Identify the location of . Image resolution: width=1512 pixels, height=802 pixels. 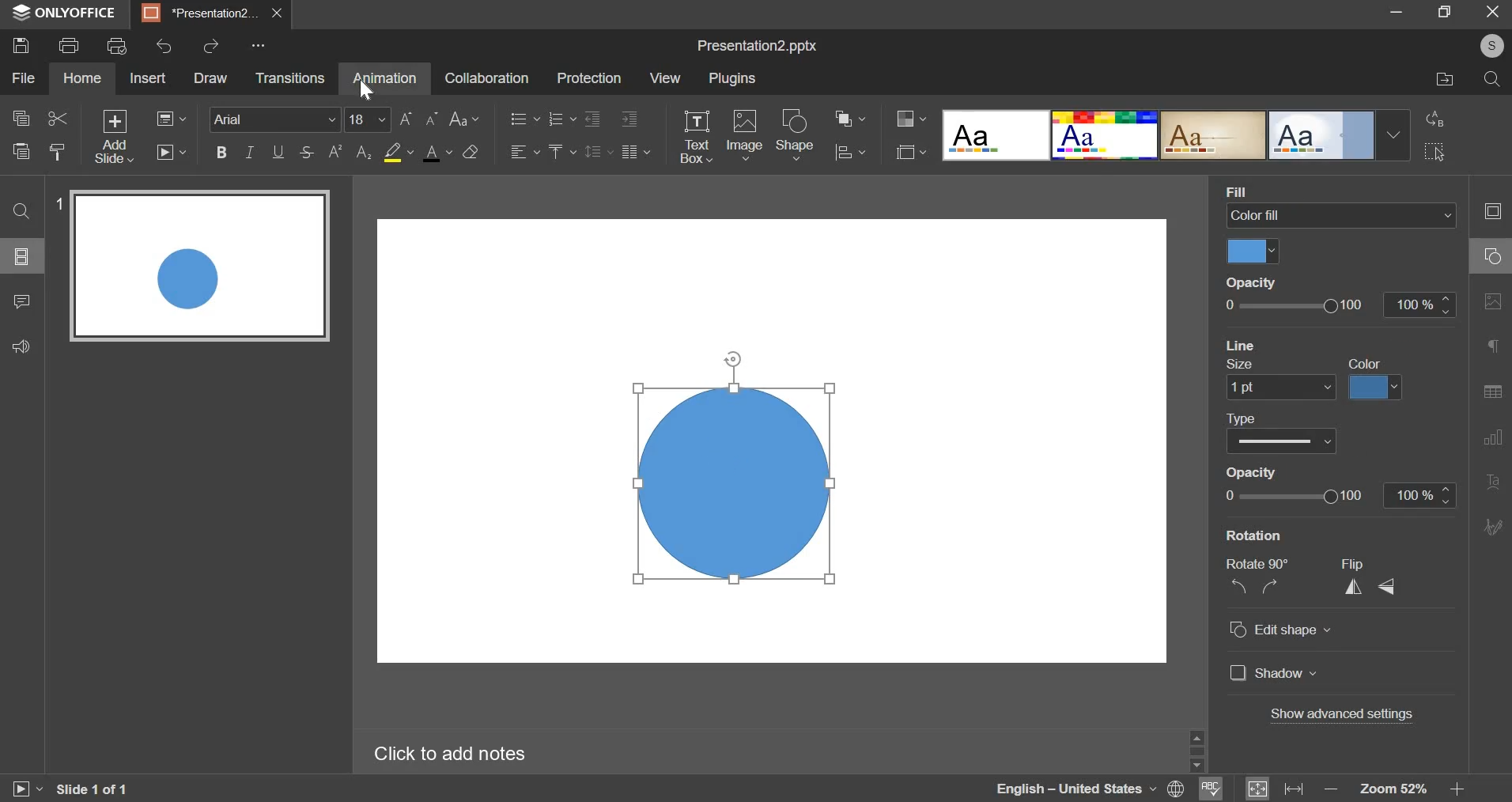
(1200, 761).